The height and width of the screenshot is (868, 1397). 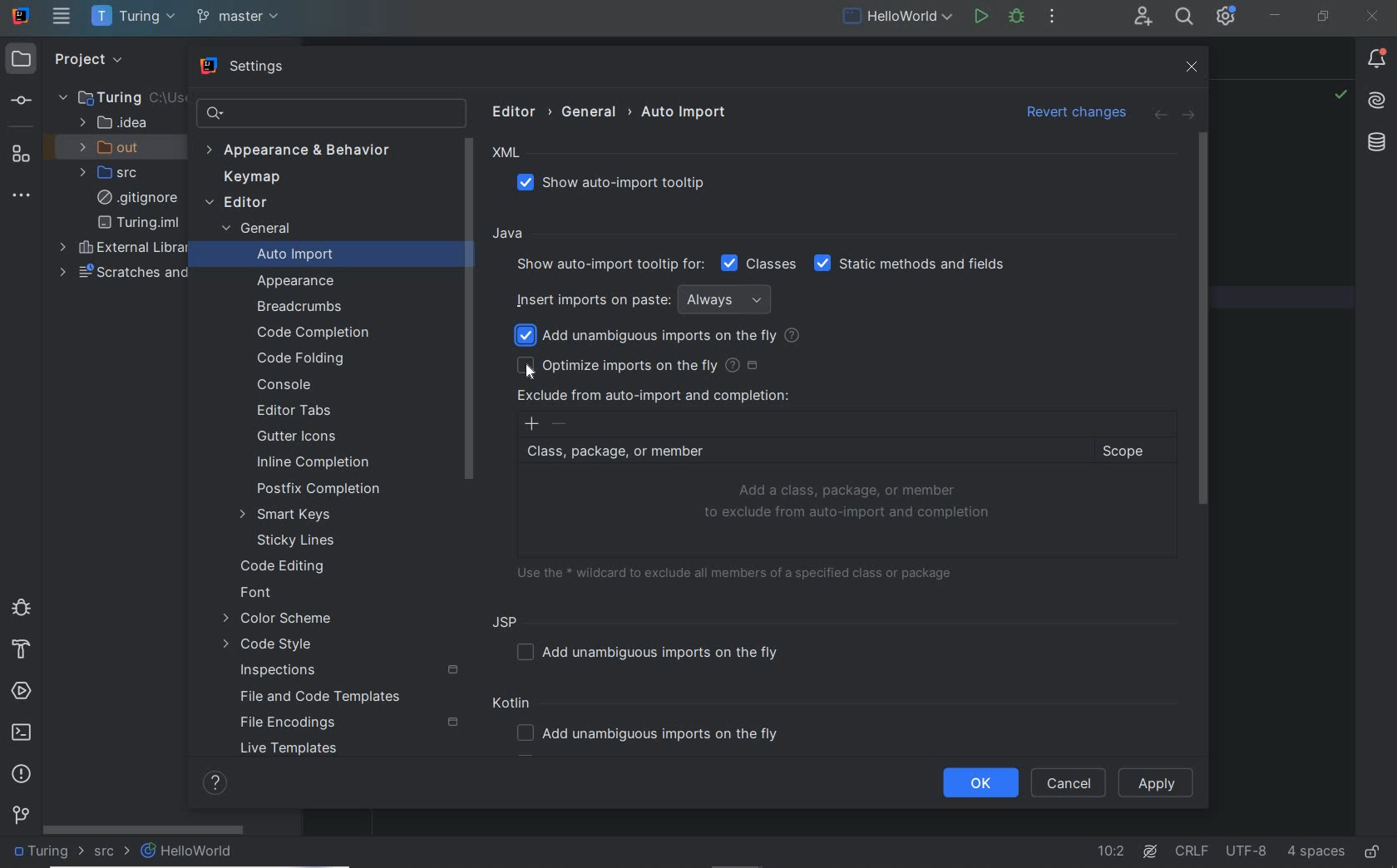 What do you see at coordinates (284, 384) in the screenshot?
I see `CONSOLE` at bounding box center [284, 384].